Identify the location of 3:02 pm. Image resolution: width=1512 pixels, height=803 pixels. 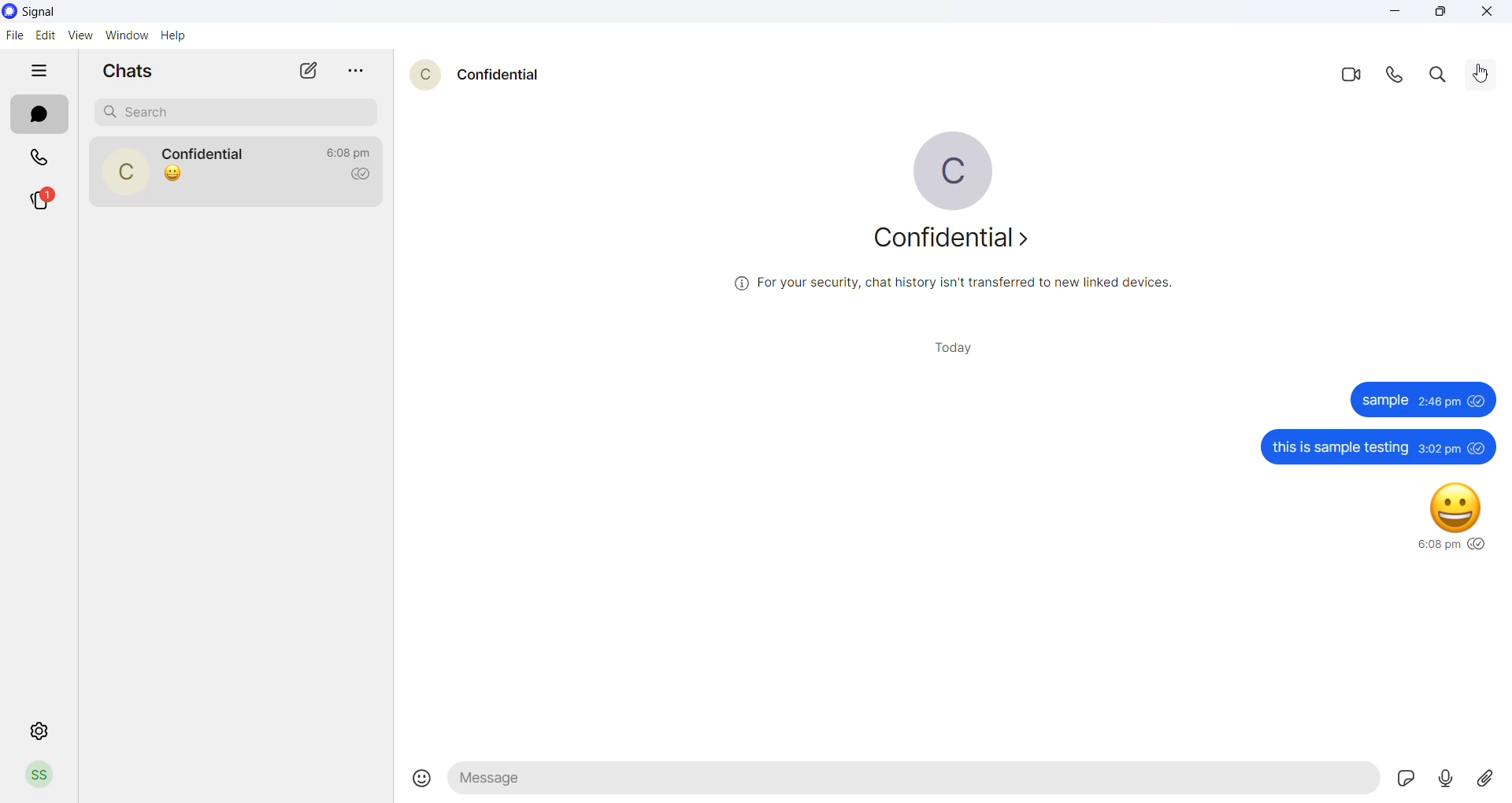
(1439, 448).